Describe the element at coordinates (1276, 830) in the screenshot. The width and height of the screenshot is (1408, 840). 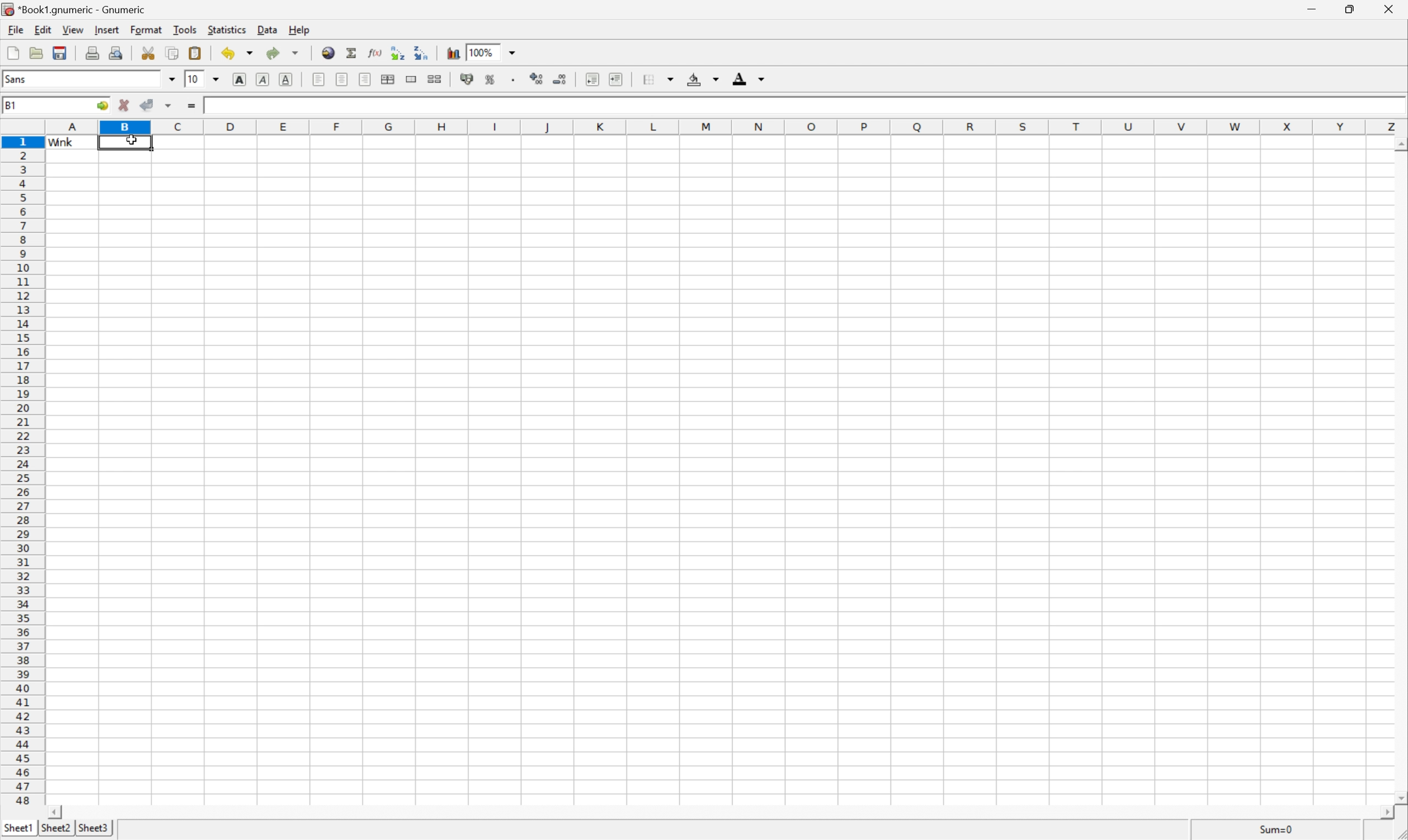
I see `sum=0` at that location.